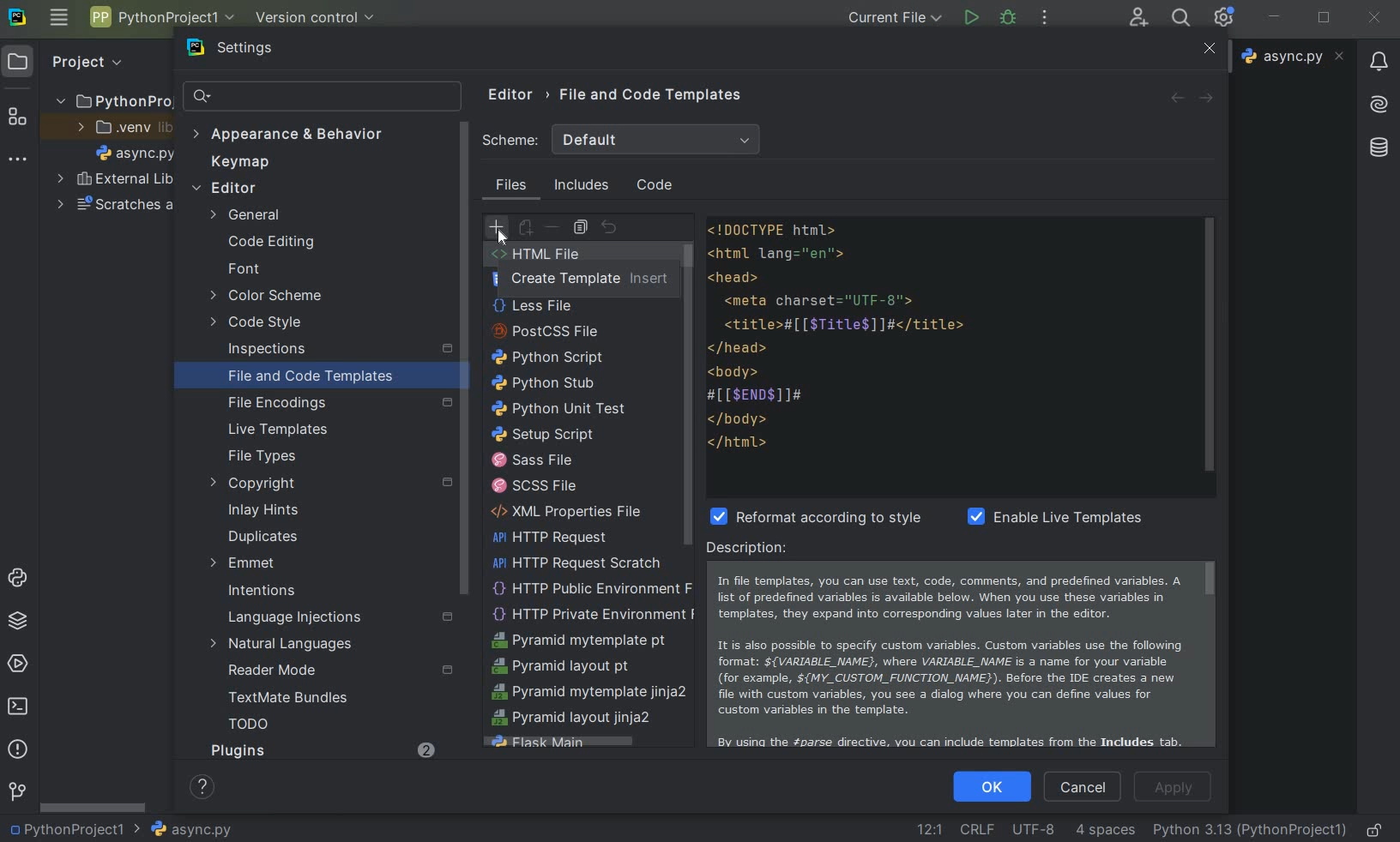 Image resolution: width=1400 pixels, height=842 pixels. What do you see at coordinates (320, 753) in the screenshot?
I see `Plugins` at bounding box center [320, 753].